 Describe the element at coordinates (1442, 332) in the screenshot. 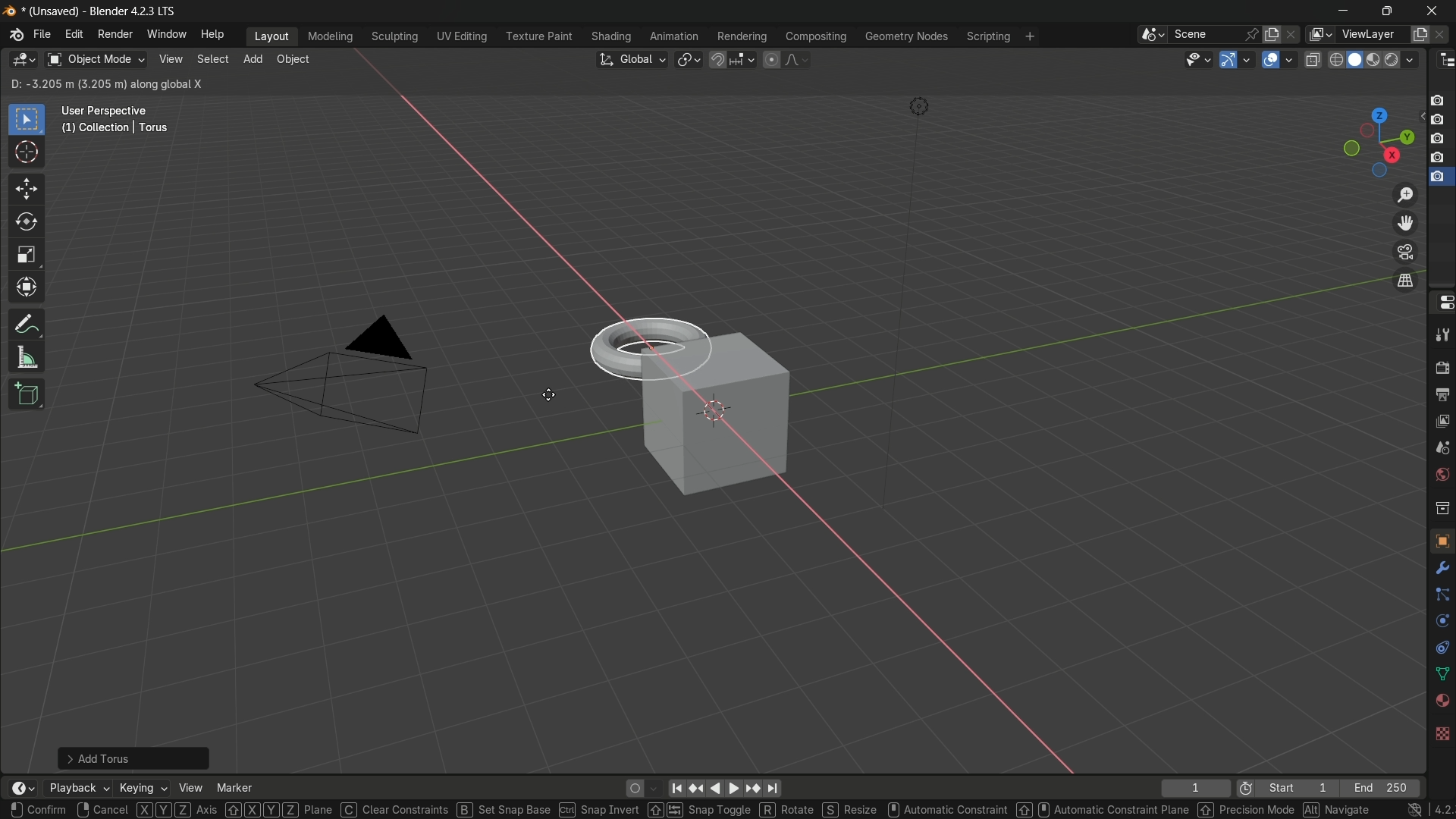

I see `tools` at that location.